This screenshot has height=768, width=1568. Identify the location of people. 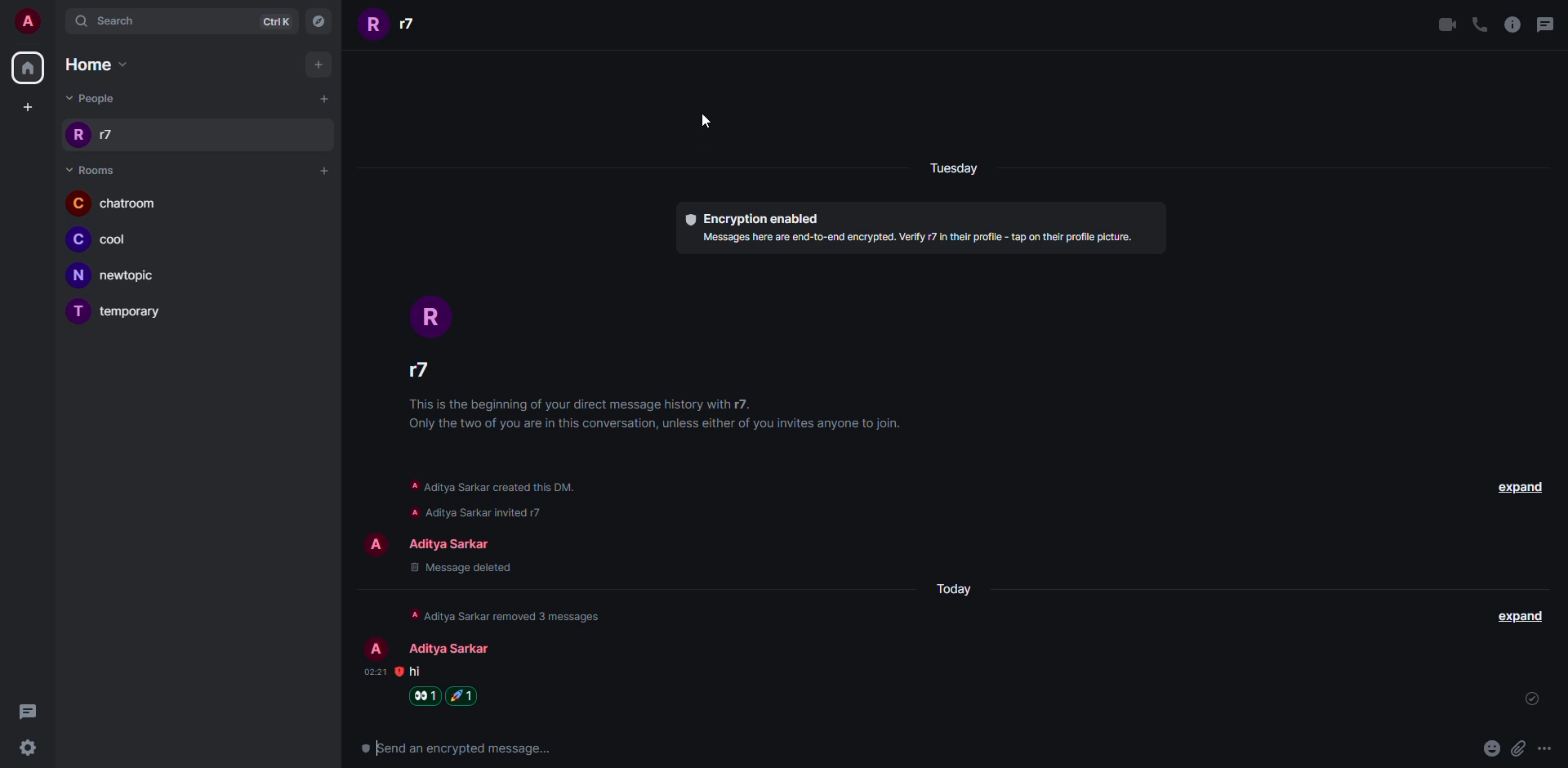
(452, 649).